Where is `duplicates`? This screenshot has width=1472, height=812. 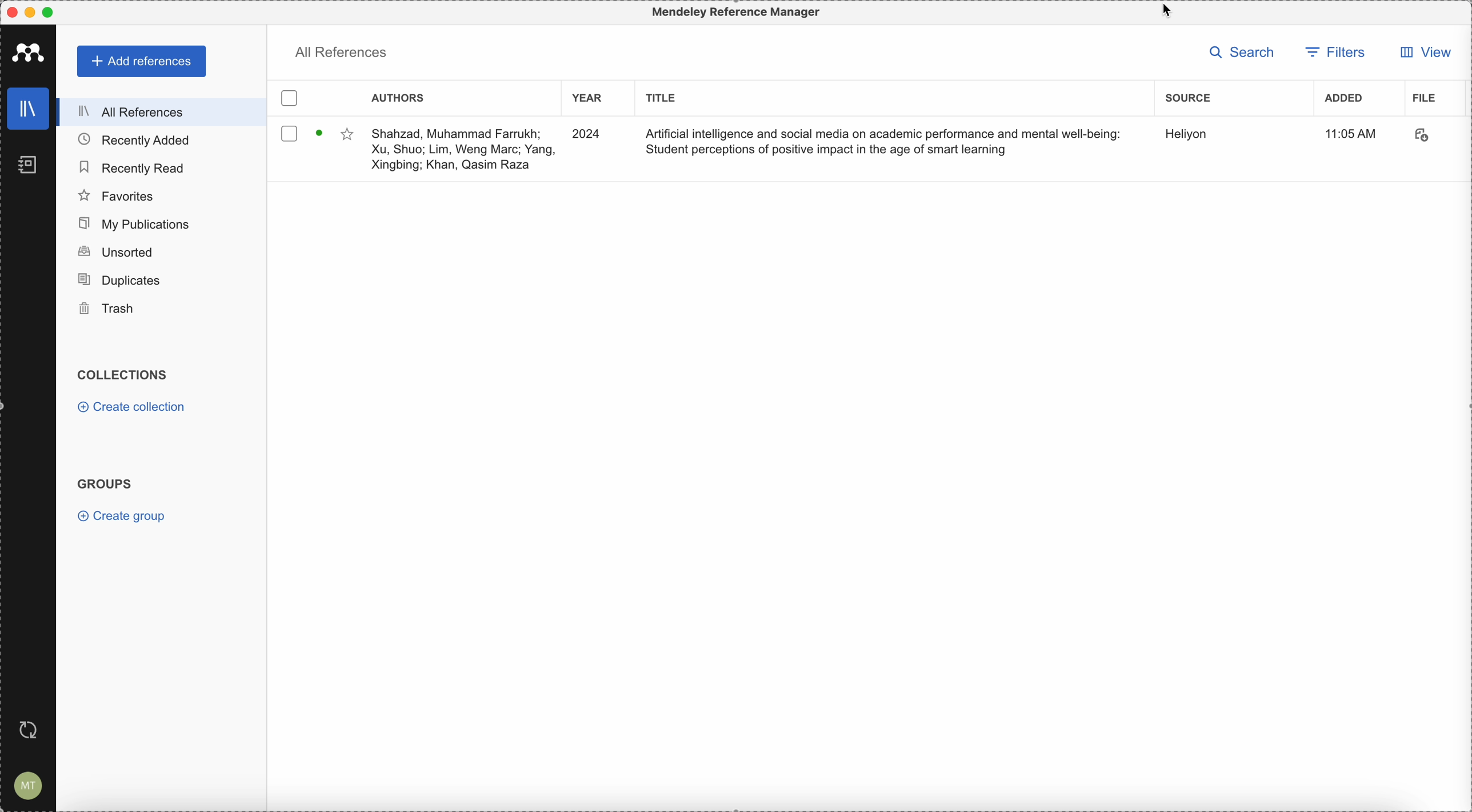 duplicates is located at coordinates (122, 278).